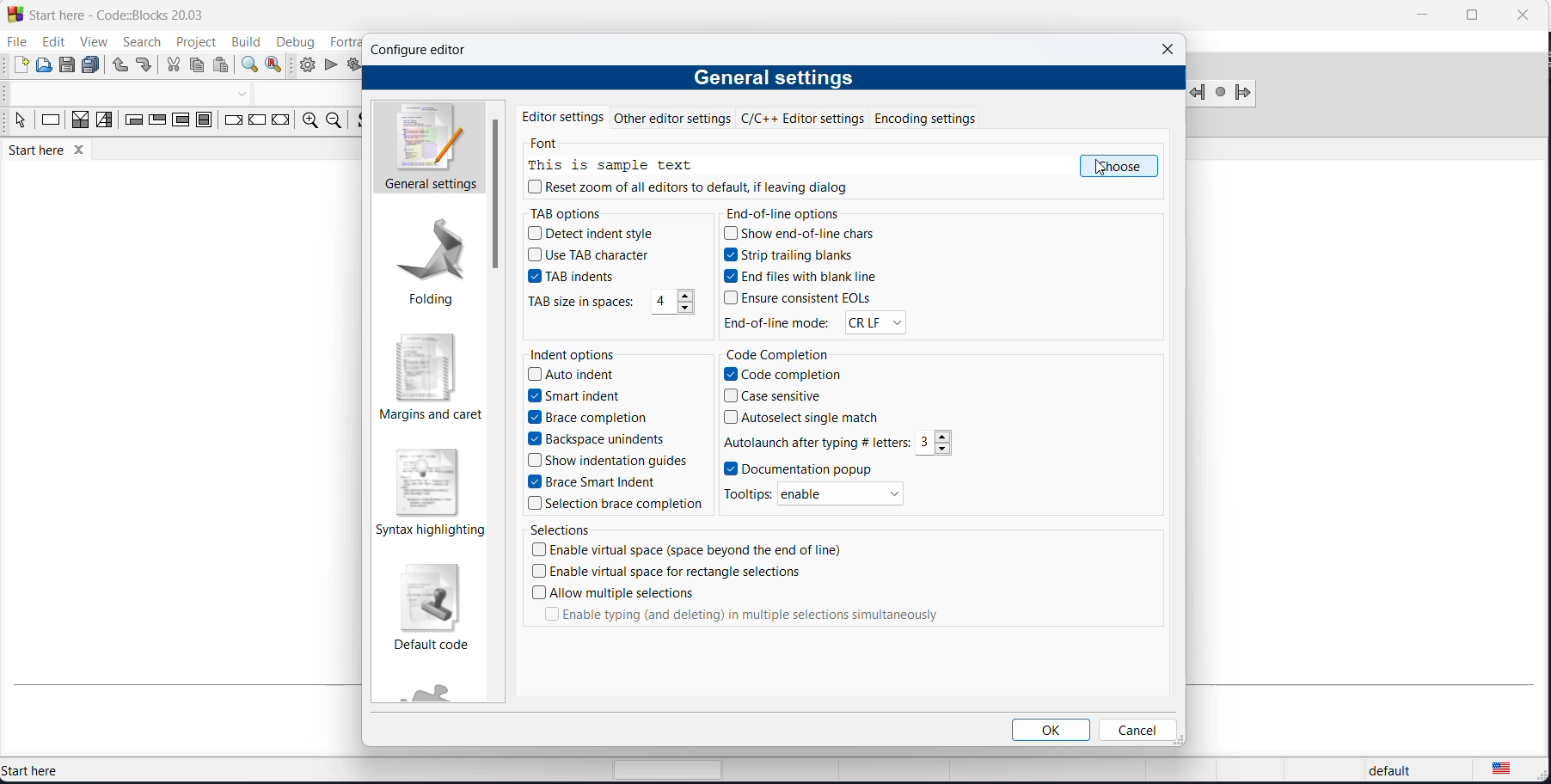  Describe the element at coordinates (173, 67) in the screenshot. I see `cut` at that location.